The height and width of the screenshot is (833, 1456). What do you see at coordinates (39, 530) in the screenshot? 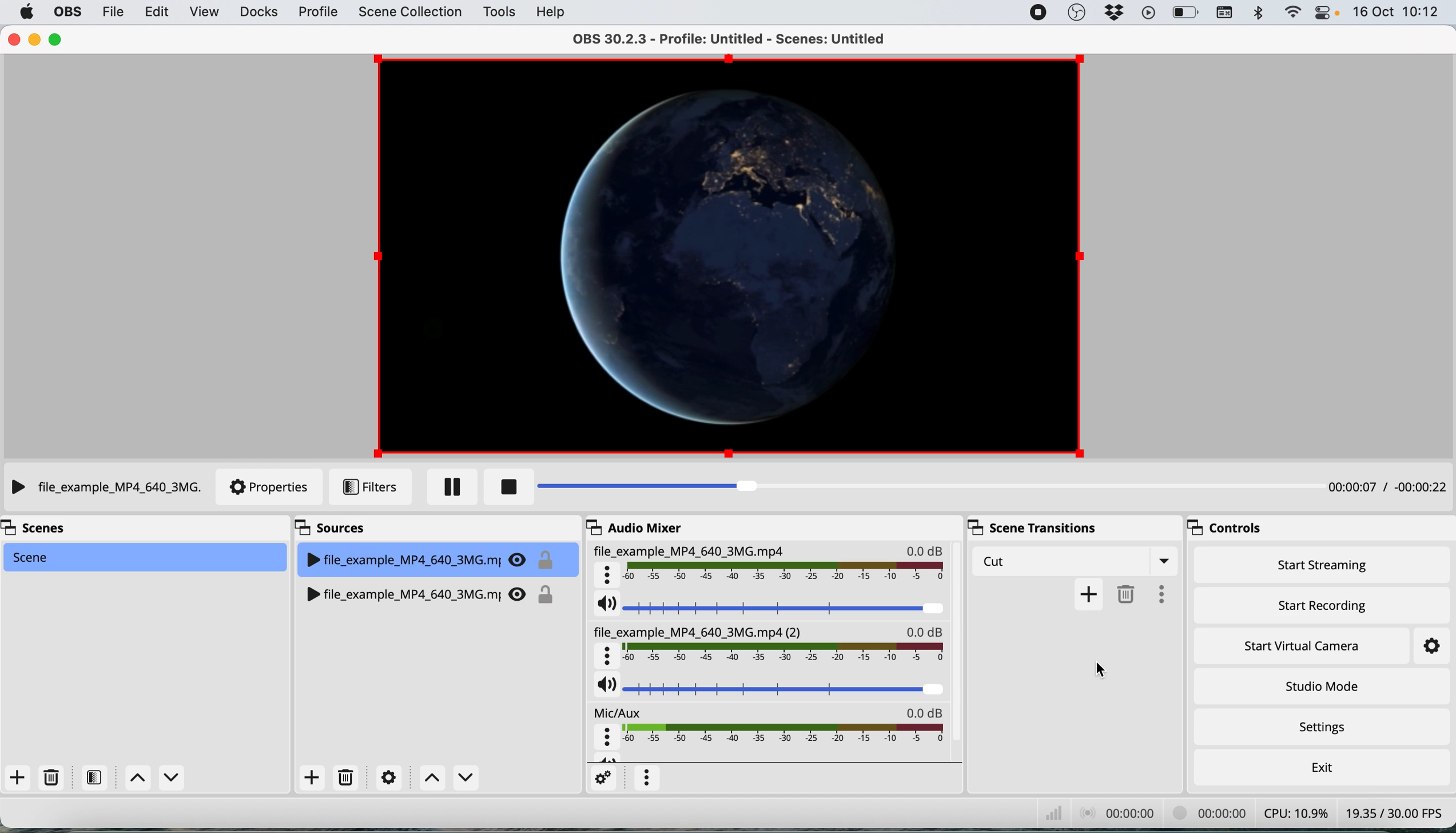
I see `scenes` at bounding box center [39, 530].